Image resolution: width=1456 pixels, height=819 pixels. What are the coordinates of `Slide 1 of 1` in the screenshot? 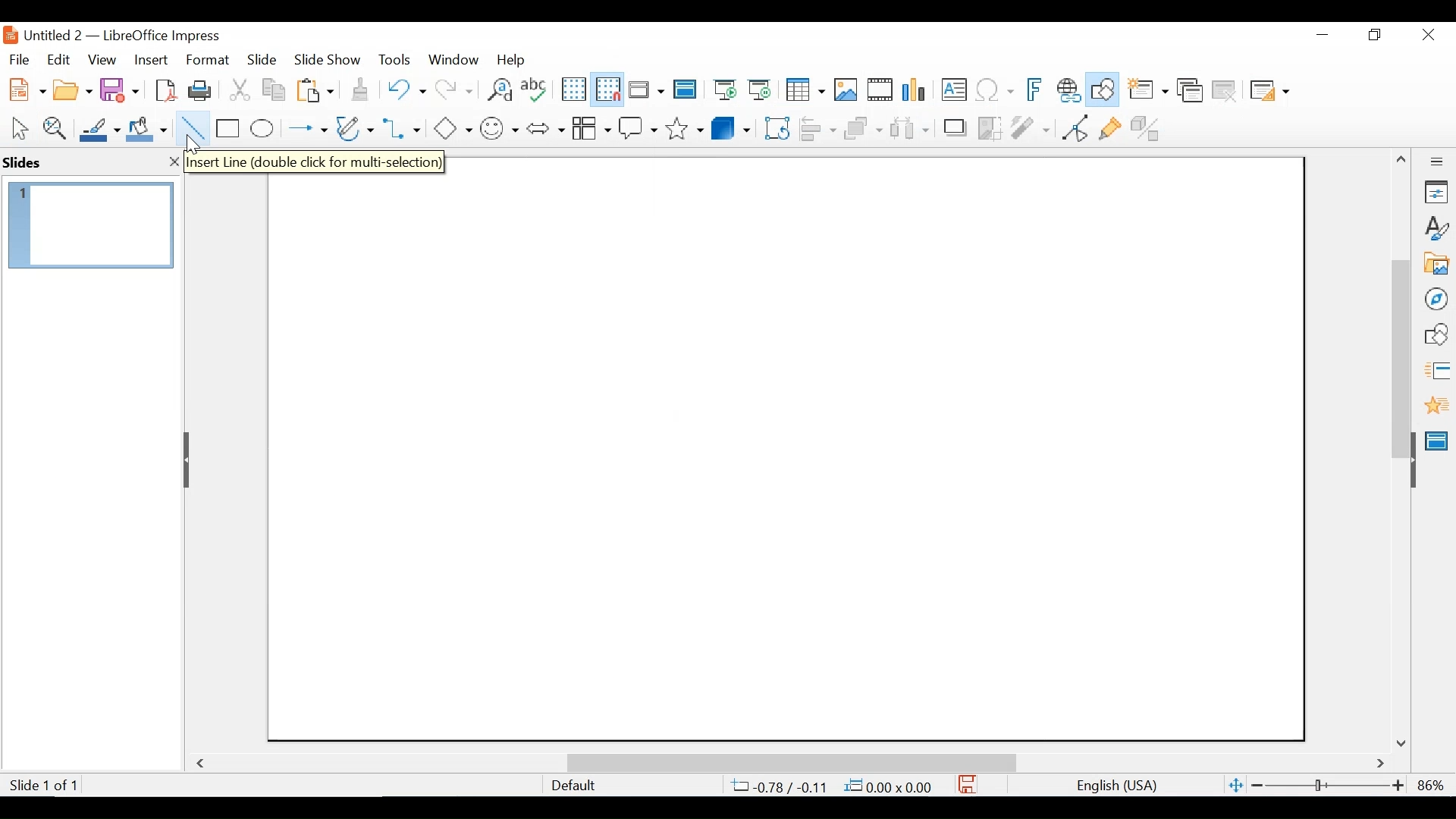 It's located at (42, 784).